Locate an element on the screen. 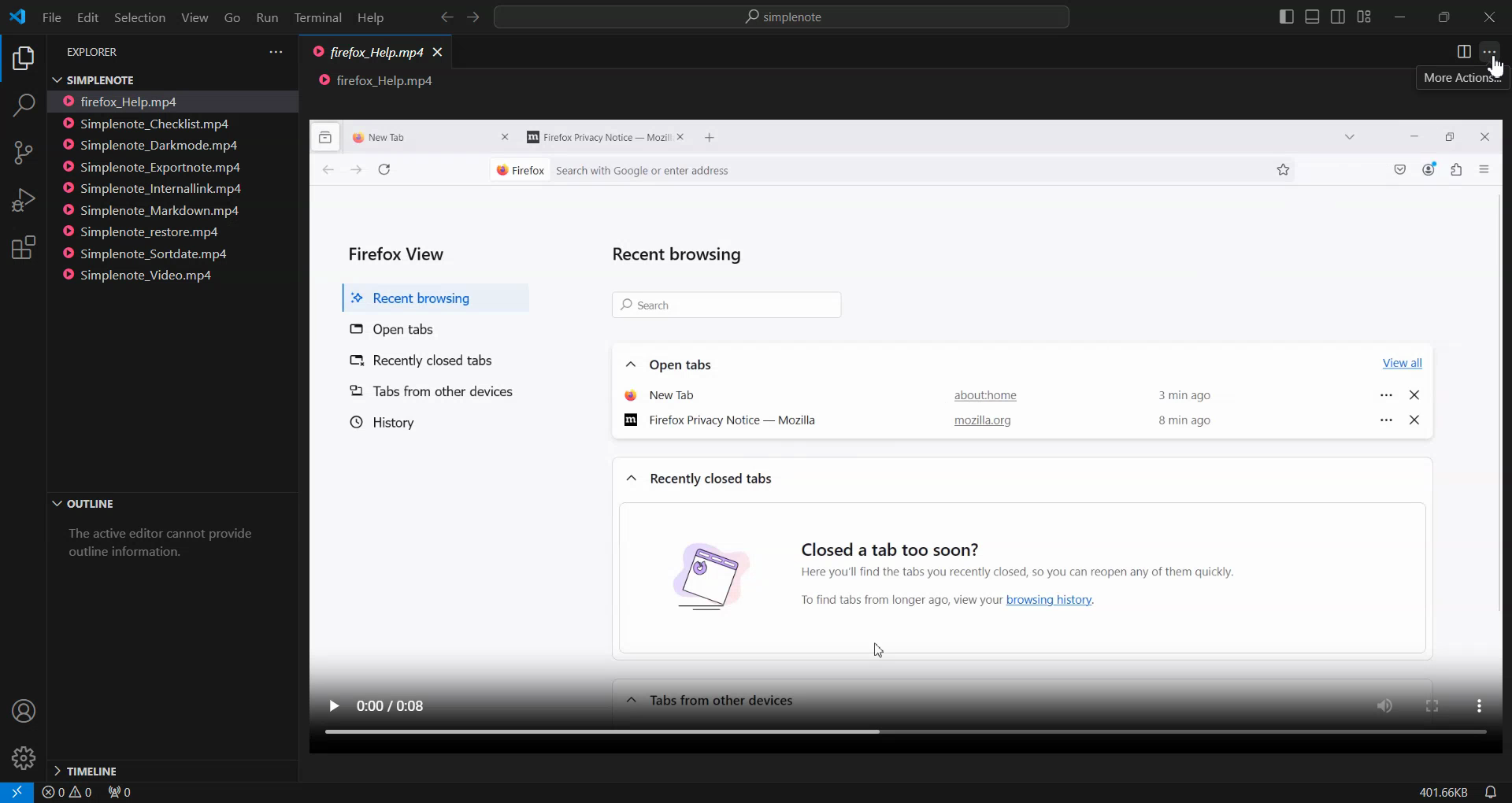 This screenshot has width=1512, height=803. 0o'00 / 0:08 is located at coordinates (398, 701).